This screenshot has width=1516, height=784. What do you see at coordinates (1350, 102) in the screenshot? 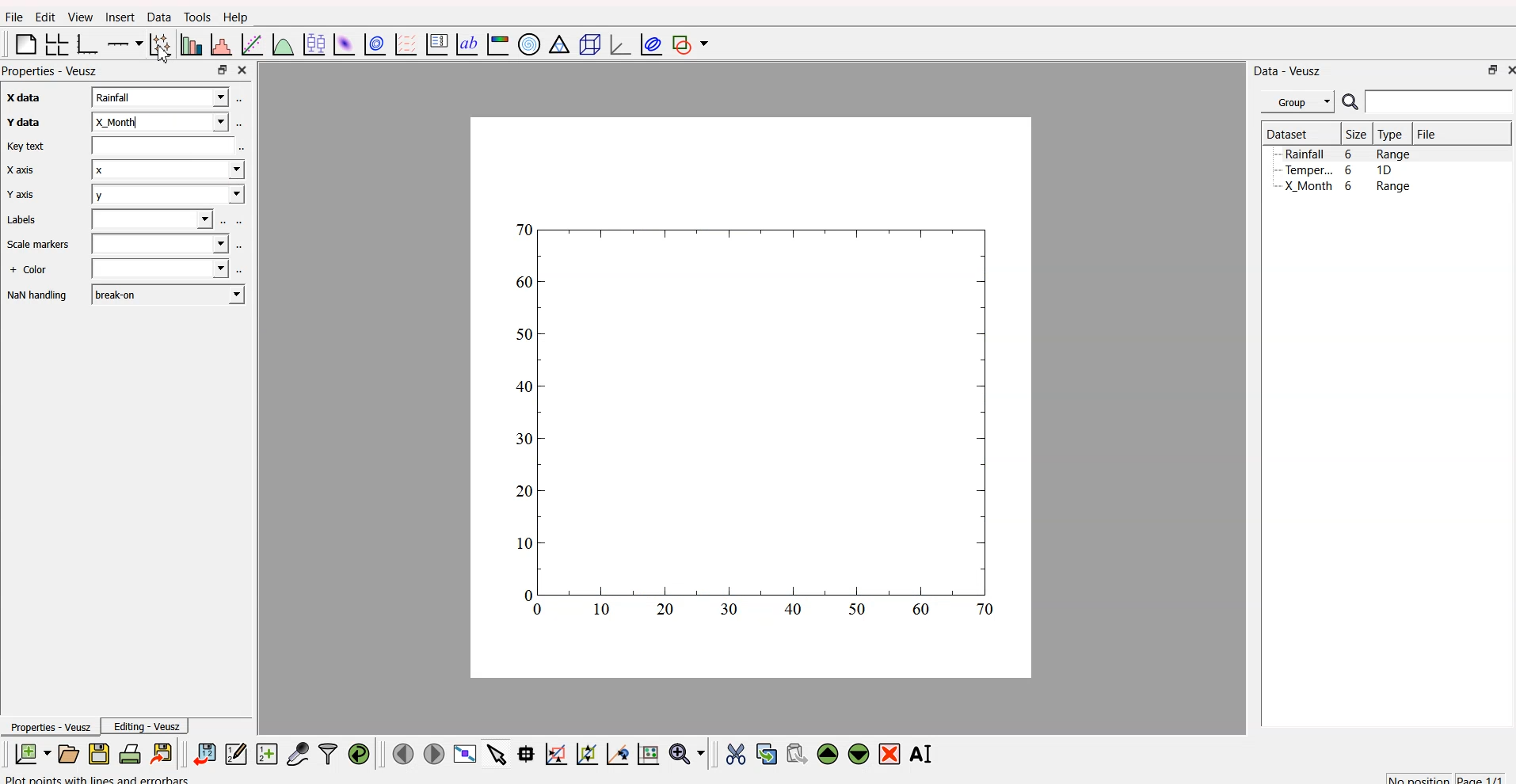
I see `search icon` at bounding box center [1350, 102].